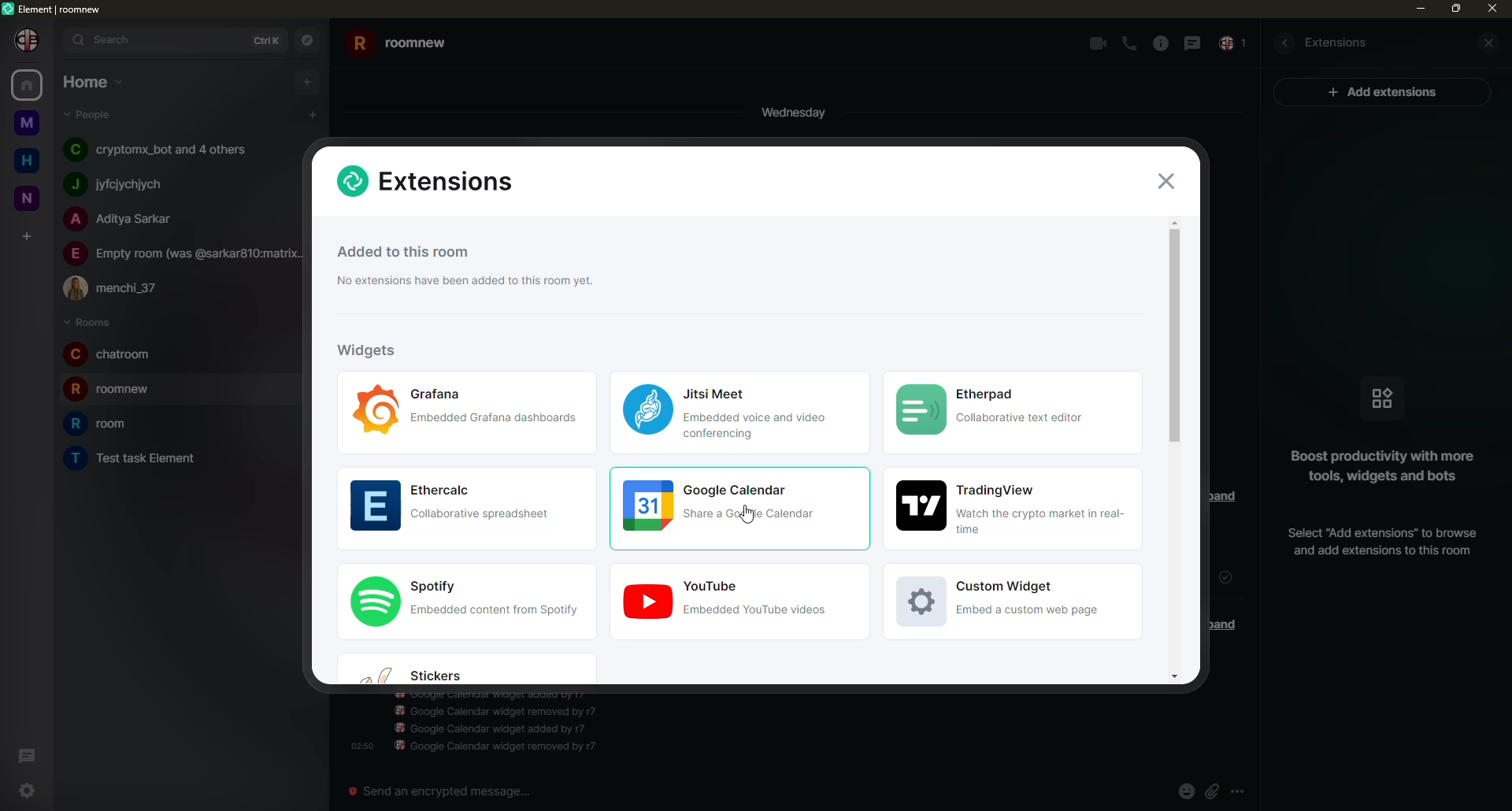  Describe the element at coordinates (464, 600) in the screenshot. I see `widgets` at that location.